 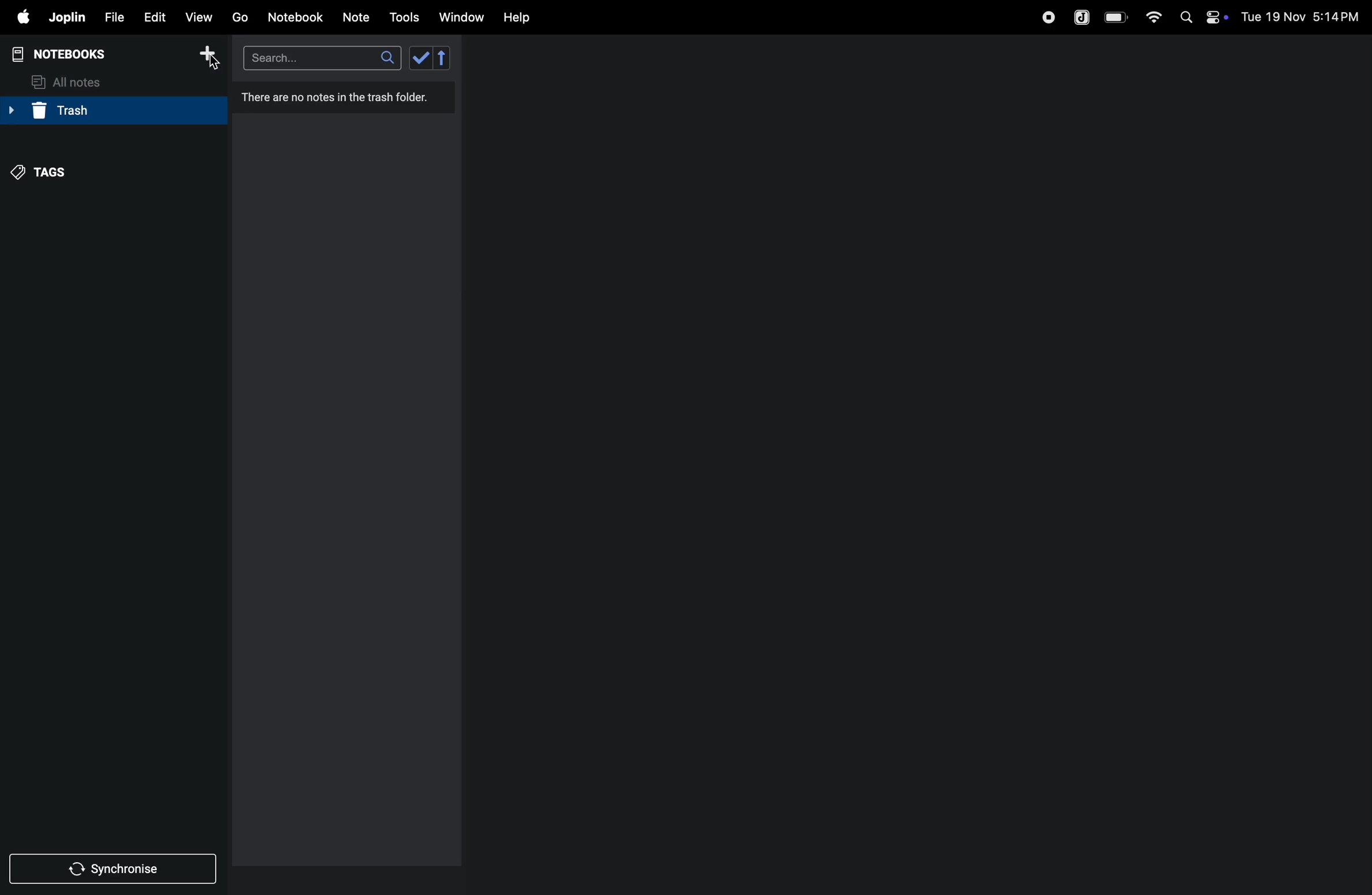 I want to click on check, so click(x=420, y=58).